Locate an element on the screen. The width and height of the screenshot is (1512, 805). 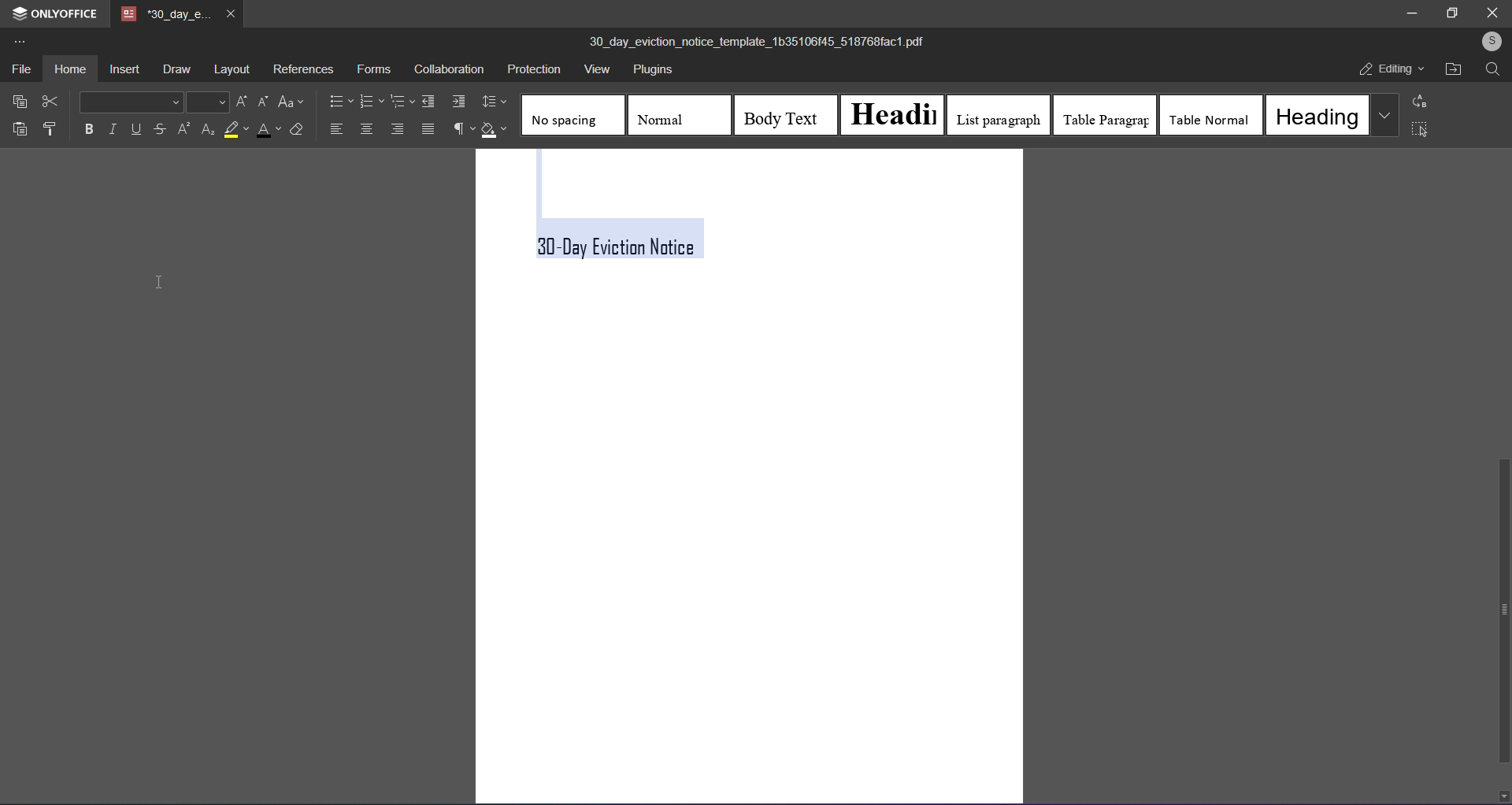
highlight color is located at coordinates (235, 130).